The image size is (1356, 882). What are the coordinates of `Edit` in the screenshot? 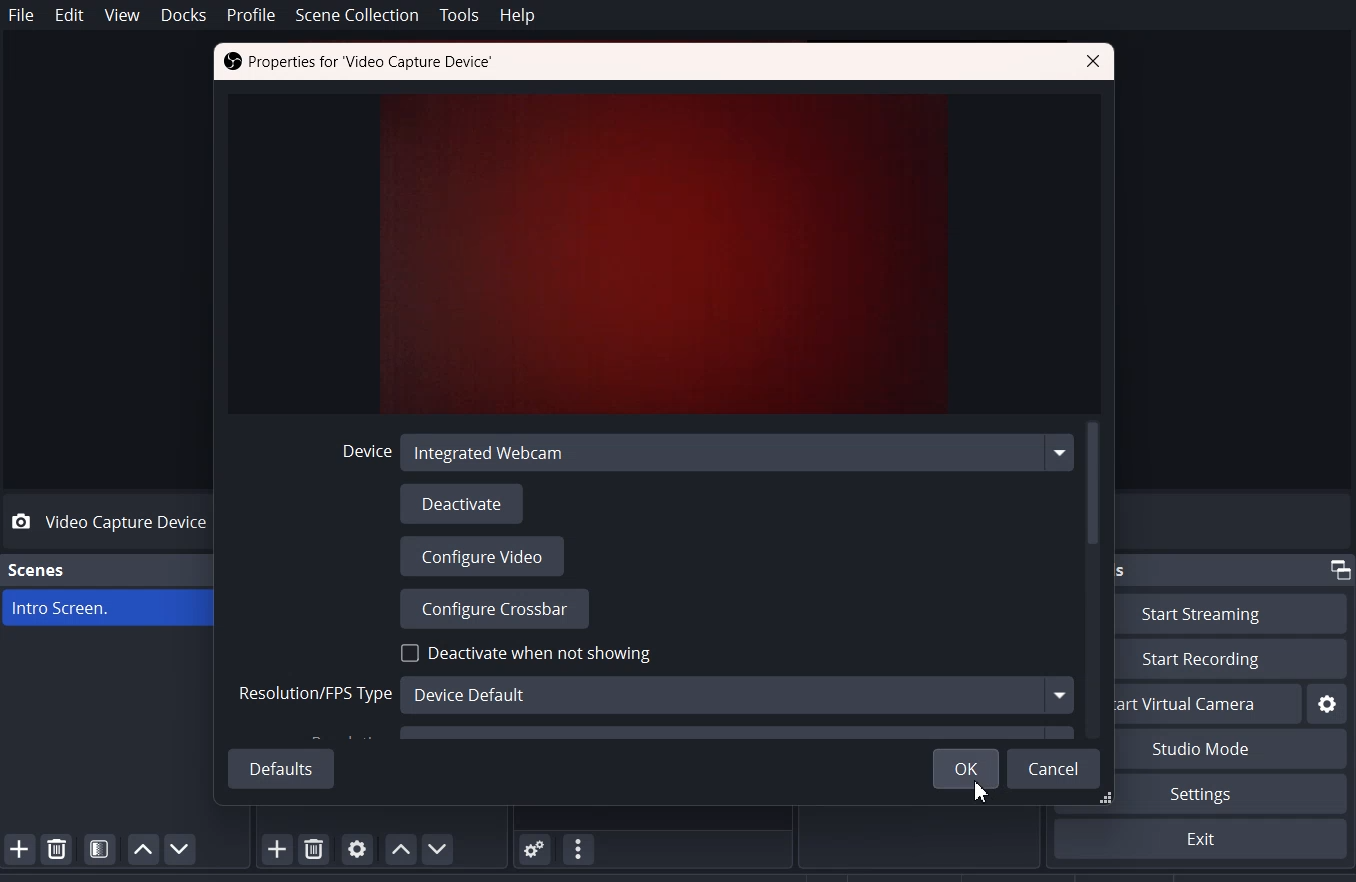 It's located at (71, 15).